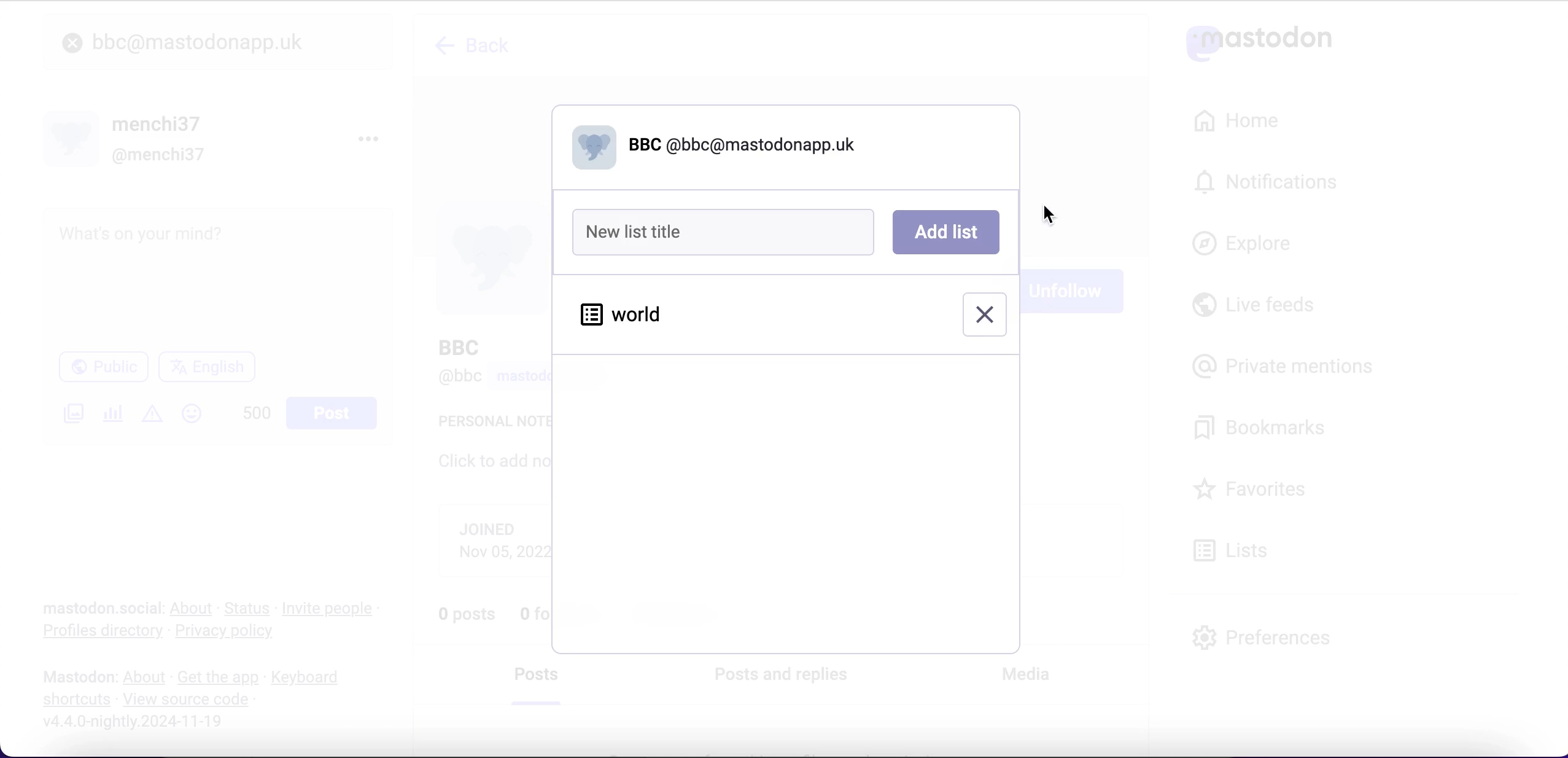  I want to click on bookmarks, so click(1263, 428).